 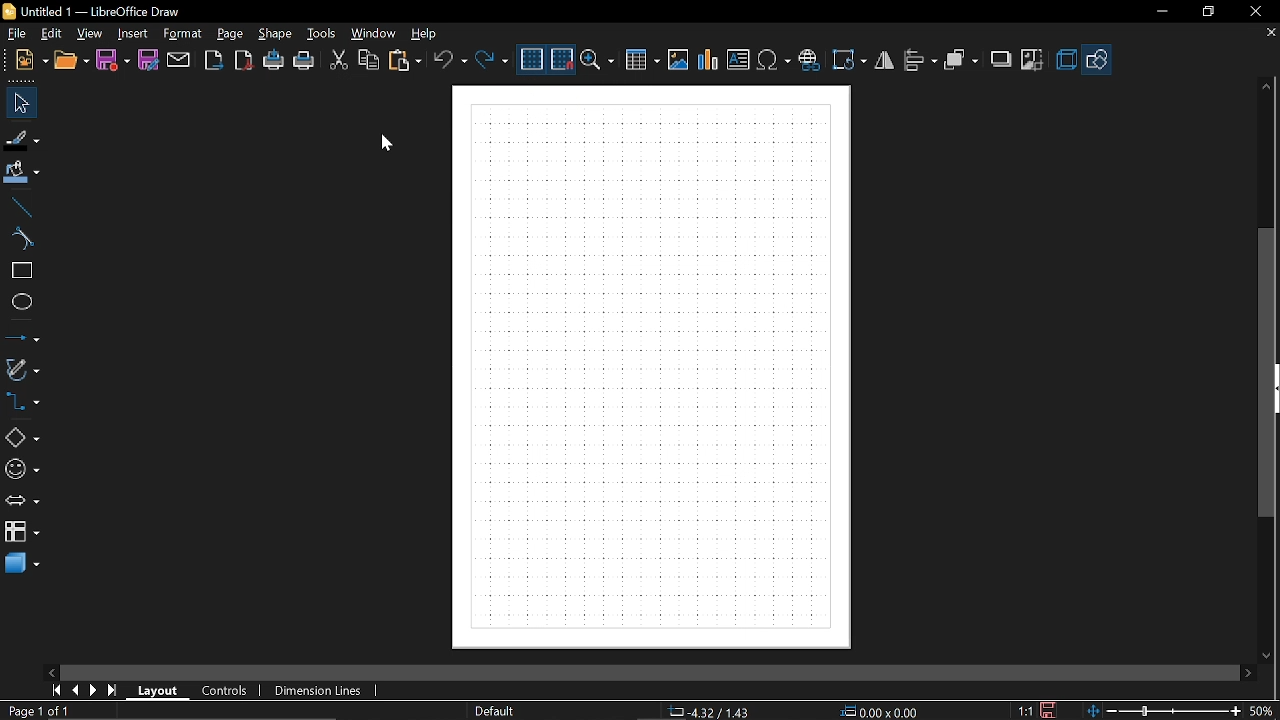 What do you see at coordinates (1026, 710) in the screenshot?
I see `1:1` at bounding box center [1026, 710].